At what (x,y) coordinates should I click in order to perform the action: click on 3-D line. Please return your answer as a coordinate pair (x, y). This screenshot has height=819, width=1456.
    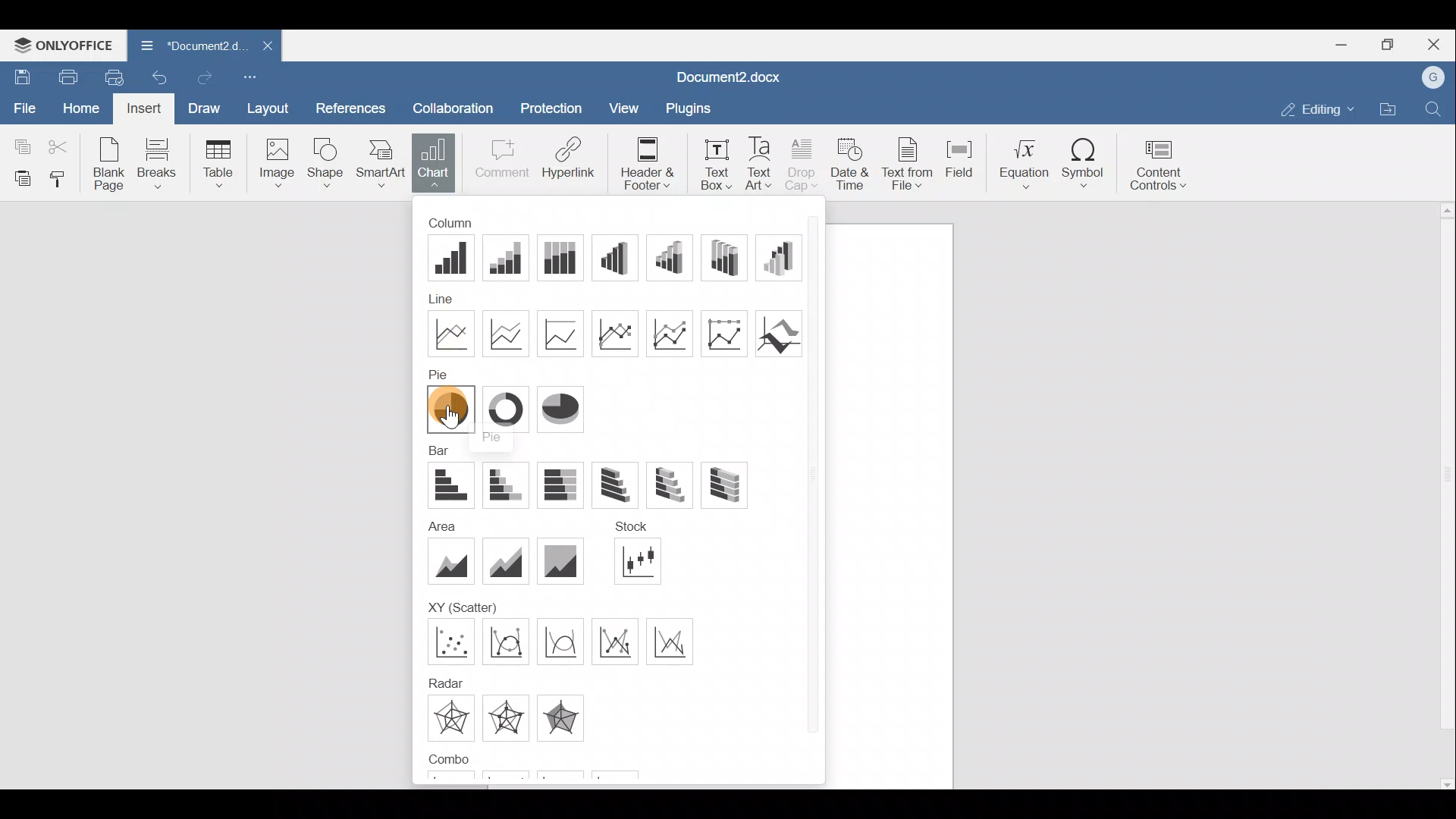
    Looking at the image, I should click on (775, 331).